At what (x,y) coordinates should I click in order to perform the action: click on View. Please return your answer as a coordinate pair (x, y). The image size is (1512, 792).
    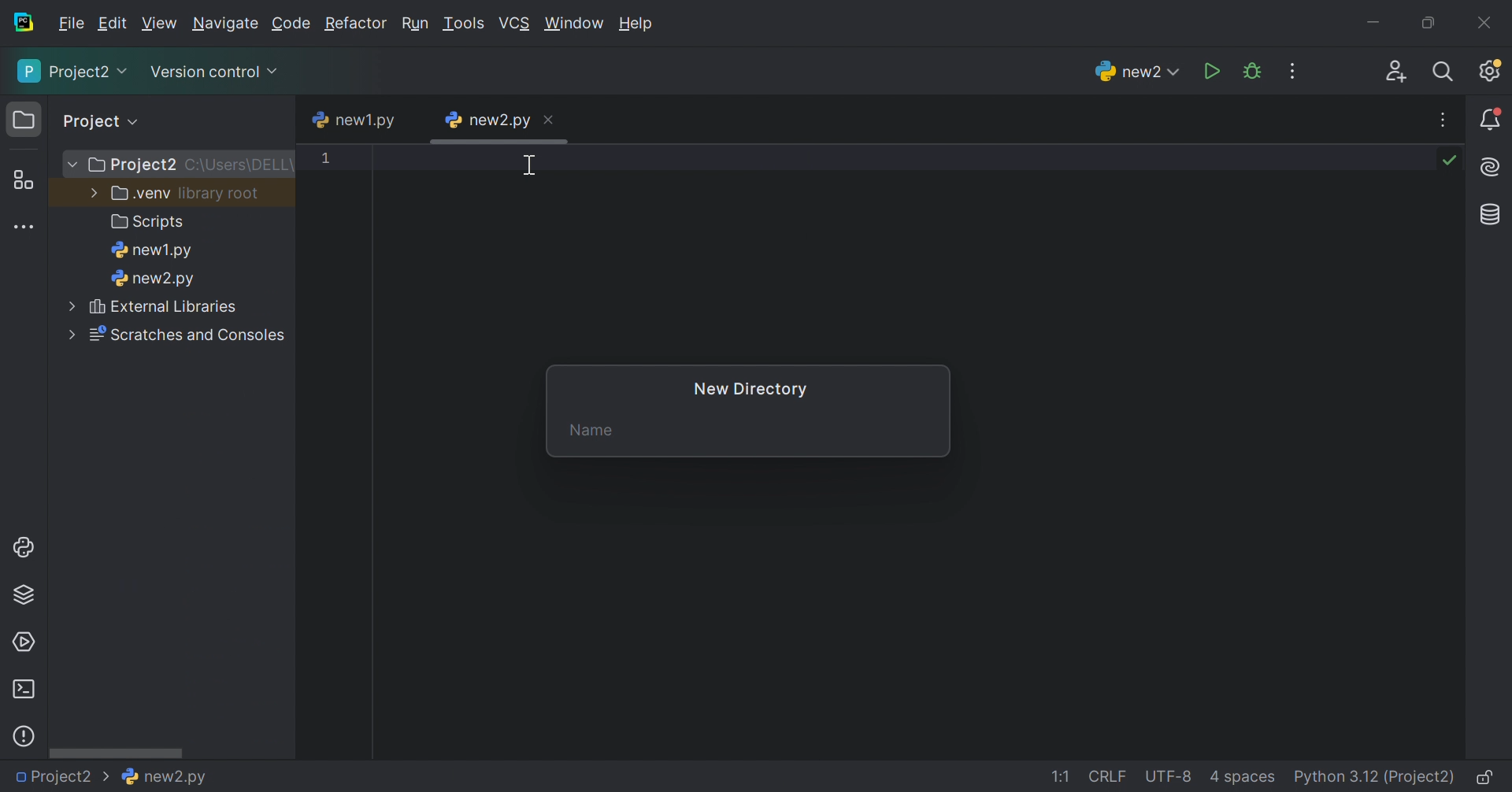
    Looking at the image, I should click on (160, 25).